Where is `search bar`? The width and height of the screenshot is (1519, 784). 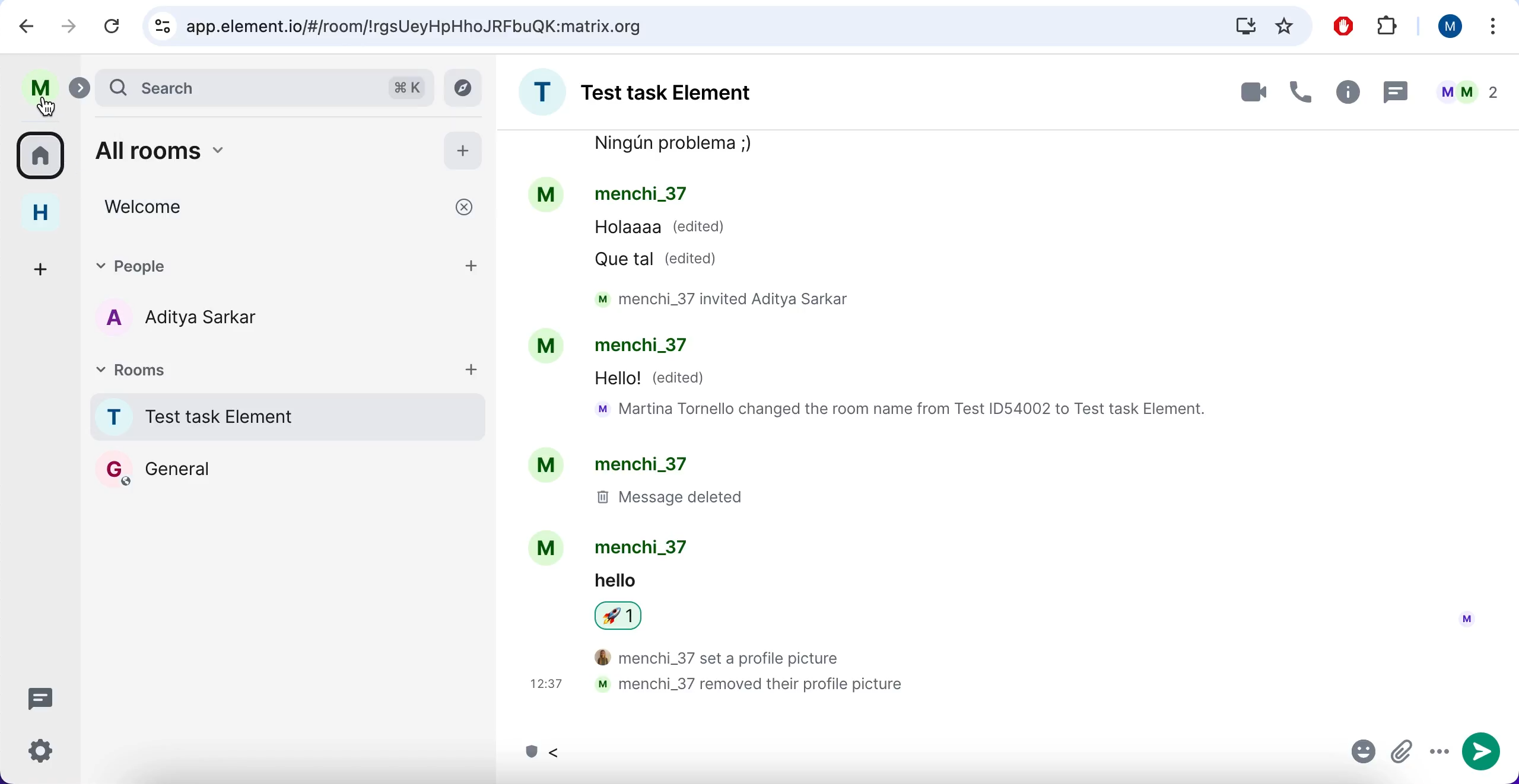 search bar is located at coordinates (724, 26).